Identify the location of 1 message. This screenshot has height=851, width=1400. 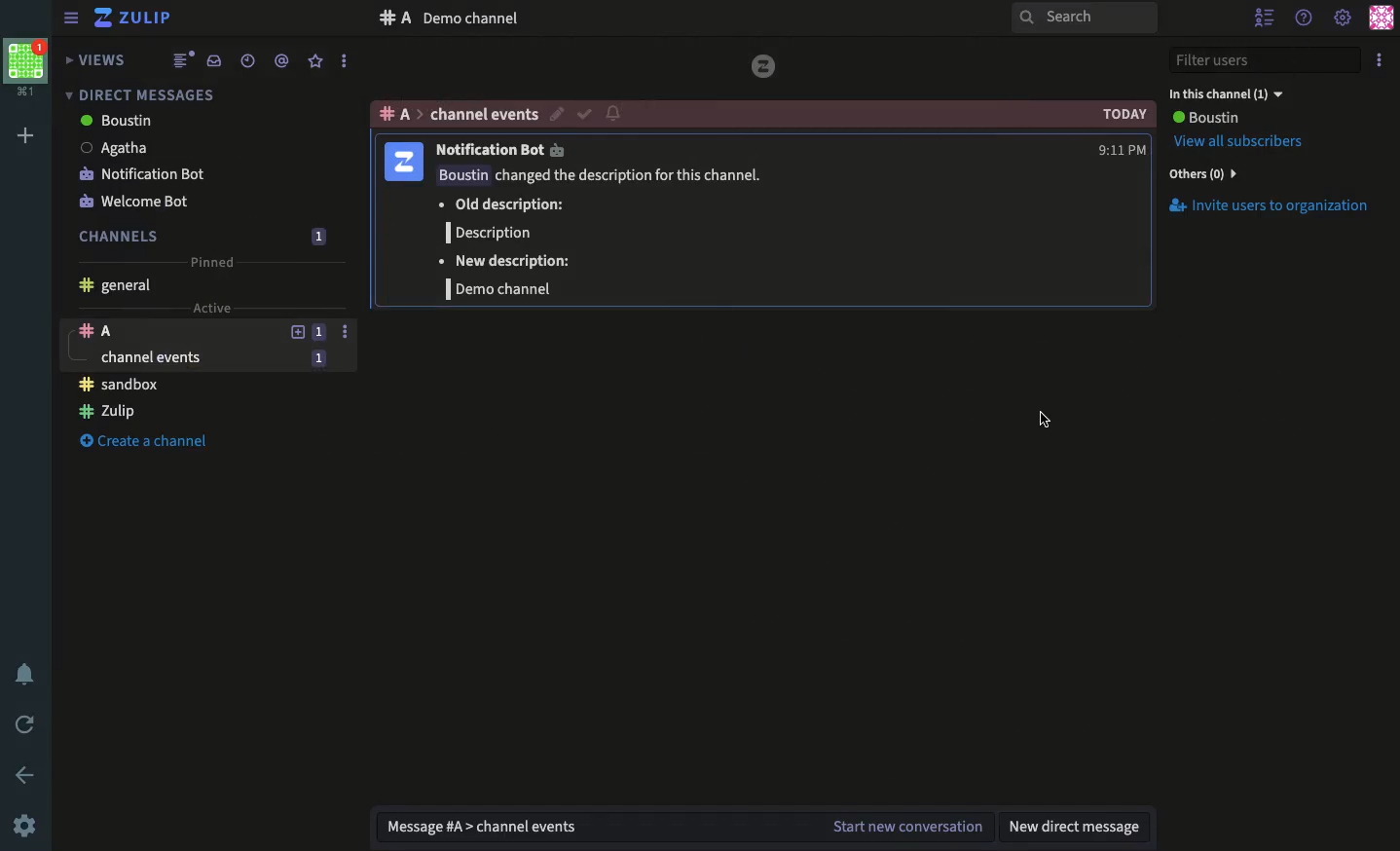
(318, 331).